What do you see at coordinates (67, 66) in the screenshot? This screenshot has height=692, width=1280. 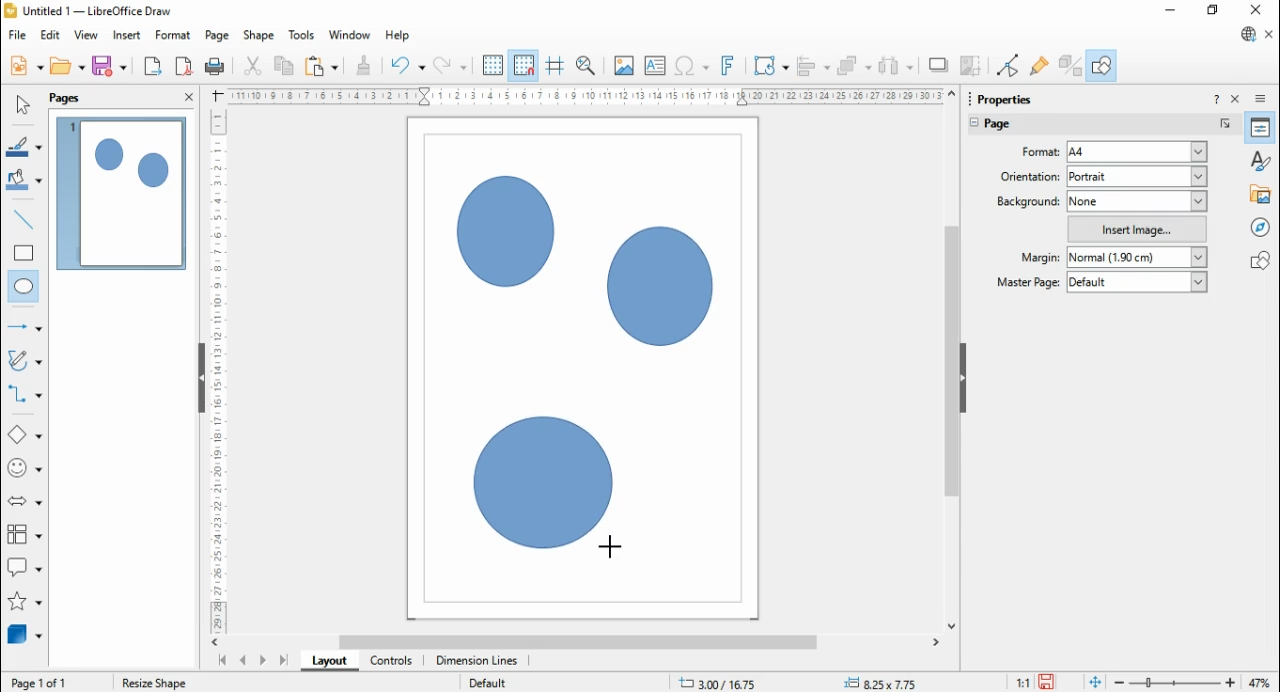 I see `open` at bounding box center [67, 66].